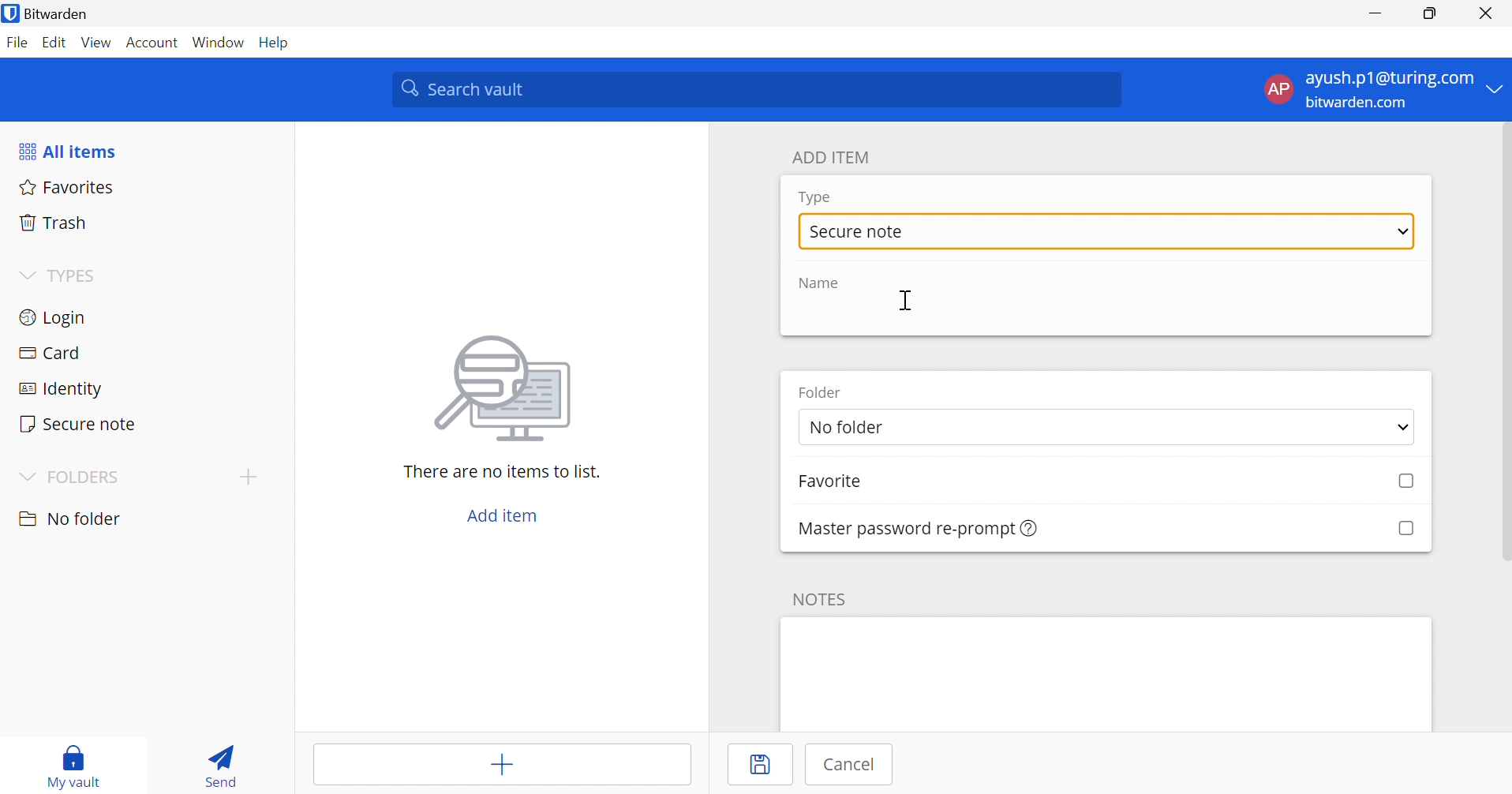  I want to click on Add item, so click(501, 516).